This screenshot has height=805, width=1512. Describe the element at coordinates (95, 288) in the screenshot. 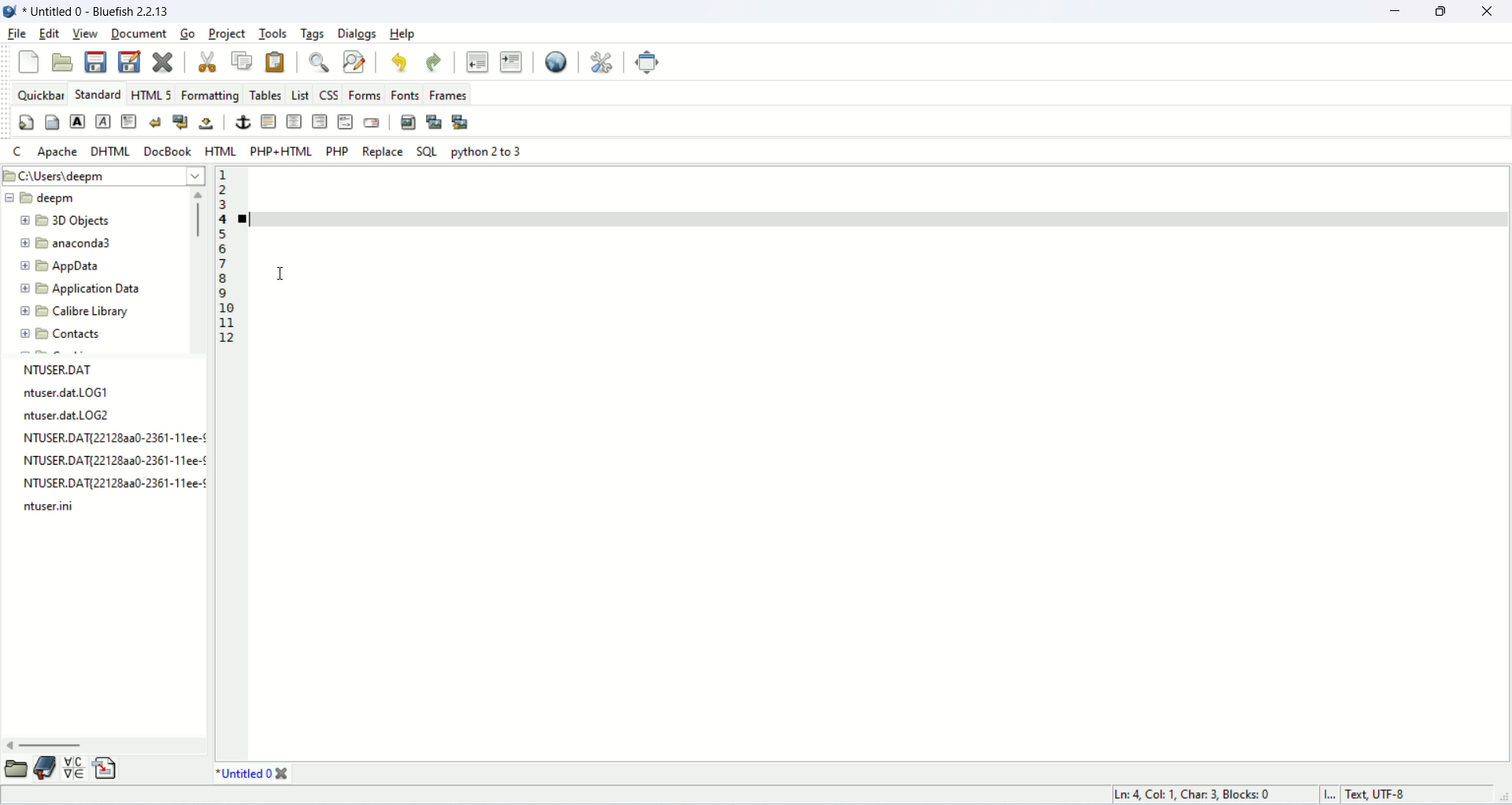

I see `folder name` at that location.